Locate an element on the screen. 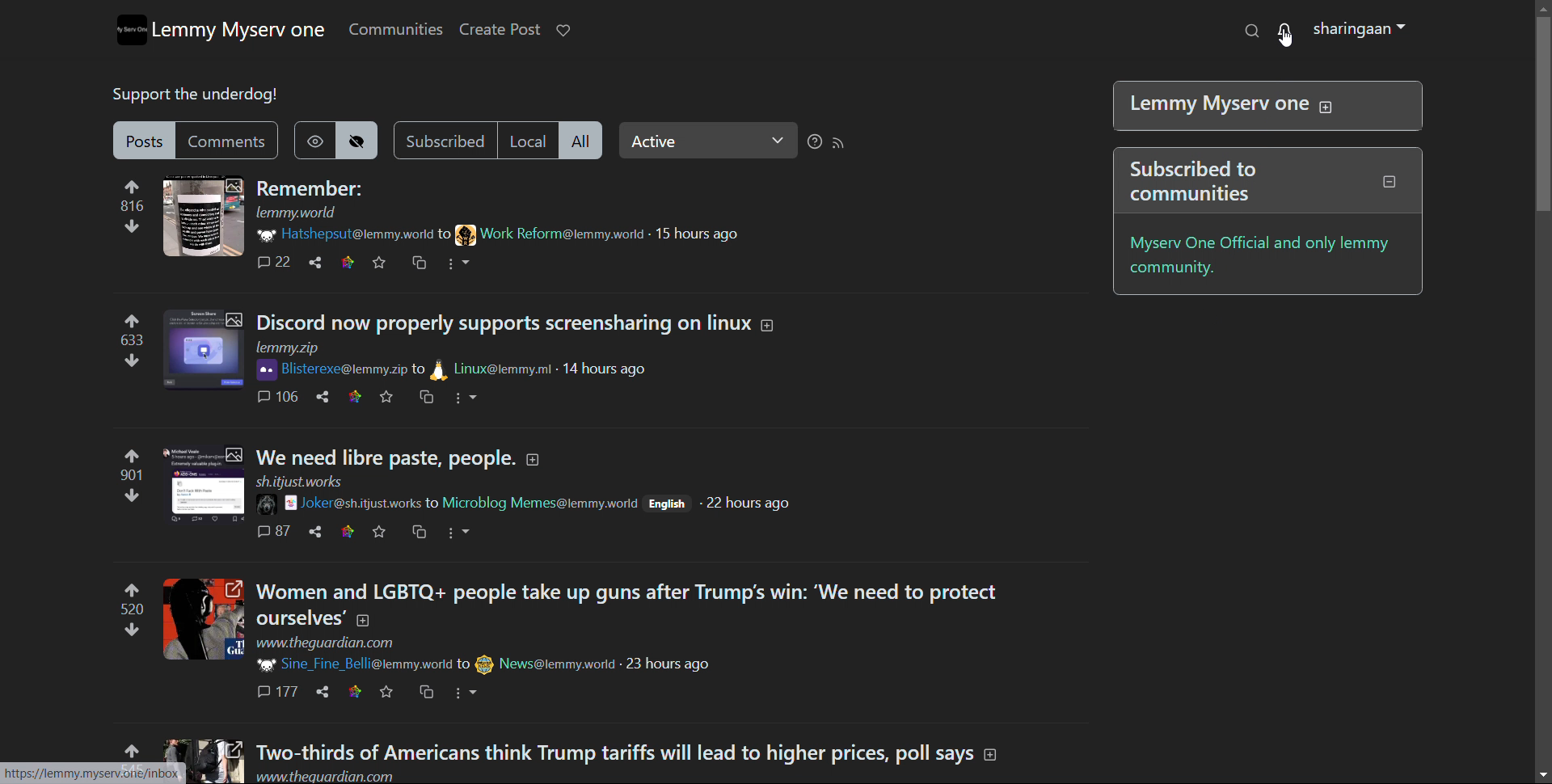  link is located at coordinates (354, 693).